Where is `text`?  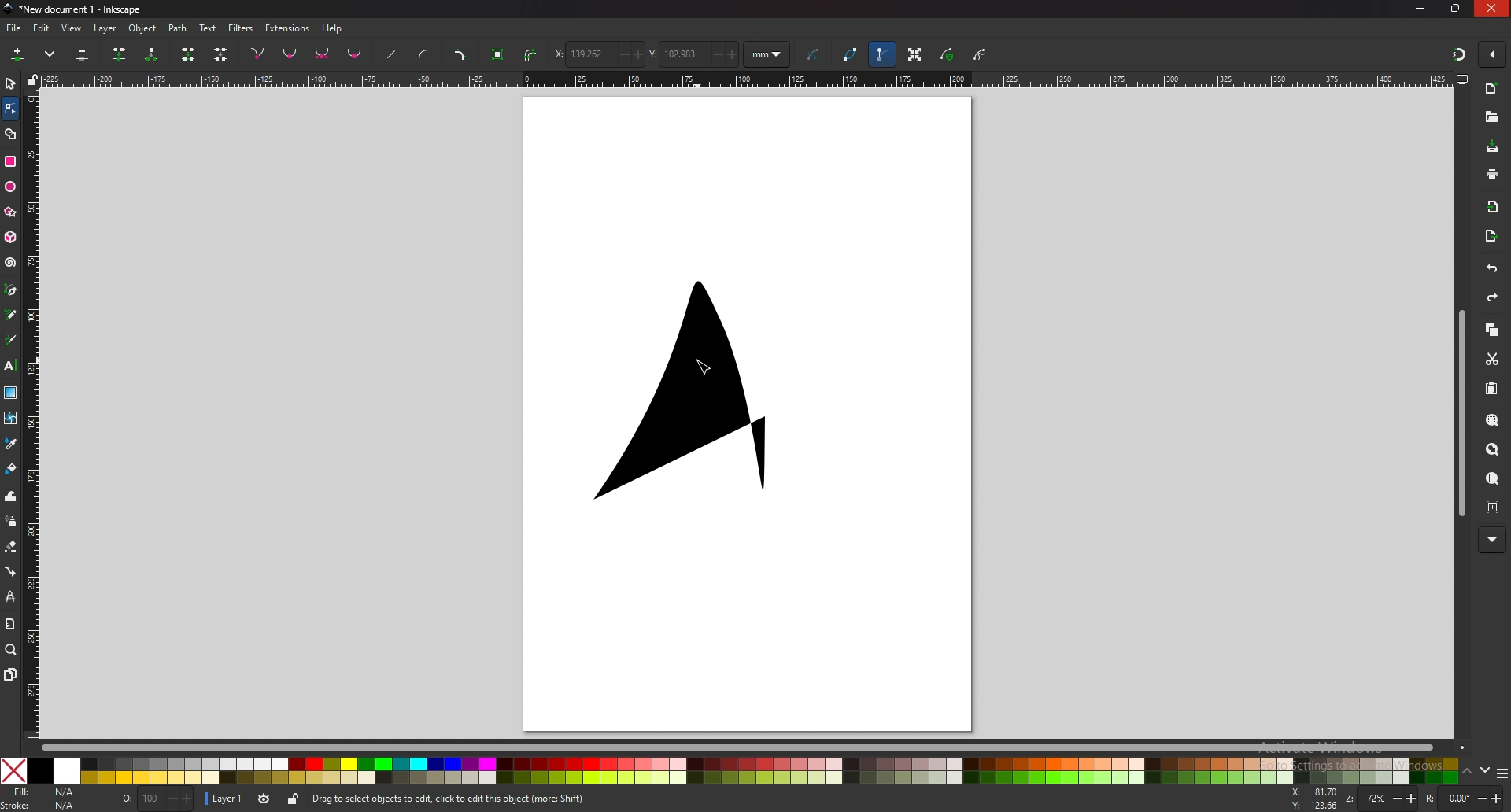 text is located at coordinates (10, 365).